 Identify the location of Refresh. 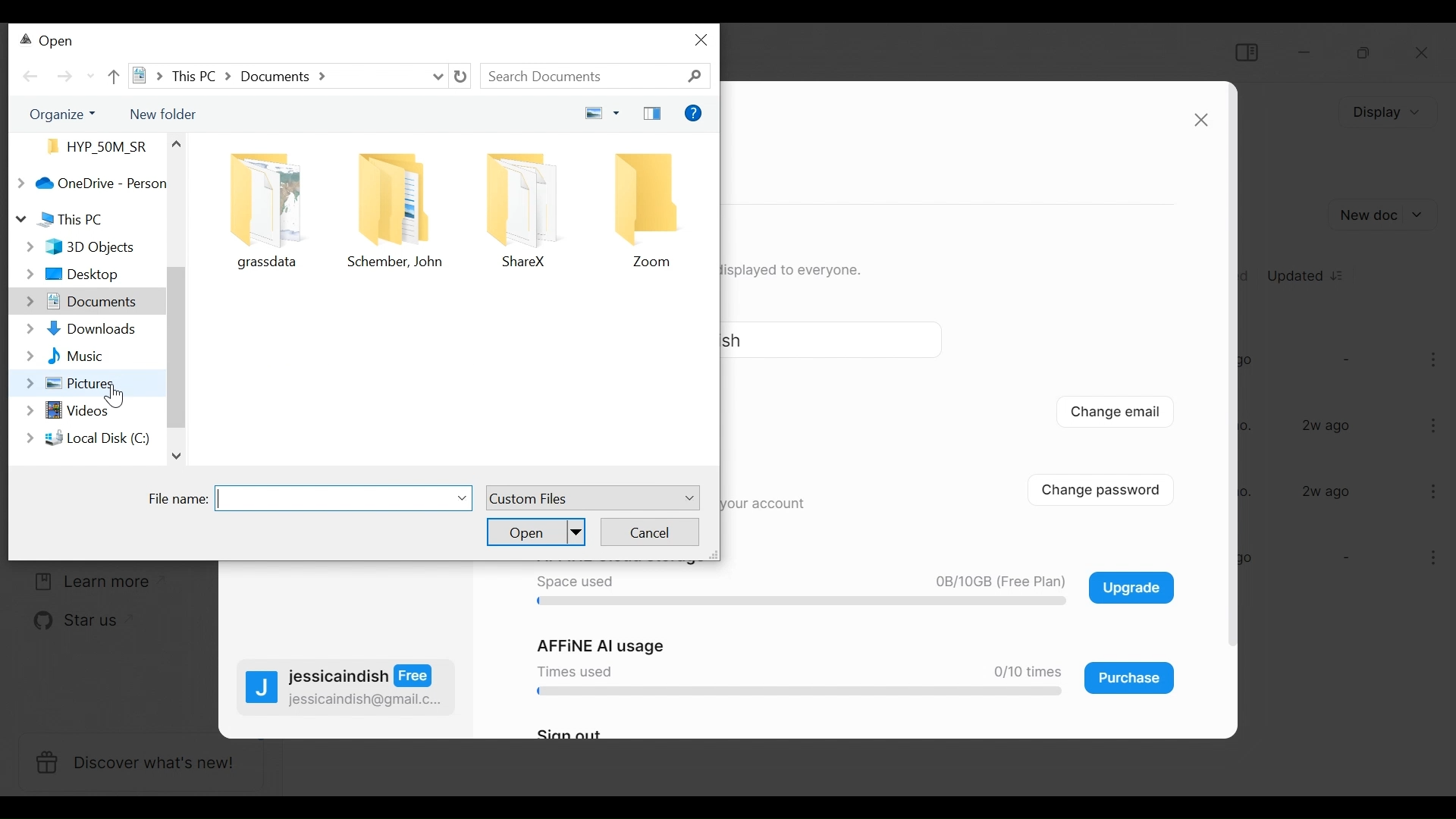
(460, 77).